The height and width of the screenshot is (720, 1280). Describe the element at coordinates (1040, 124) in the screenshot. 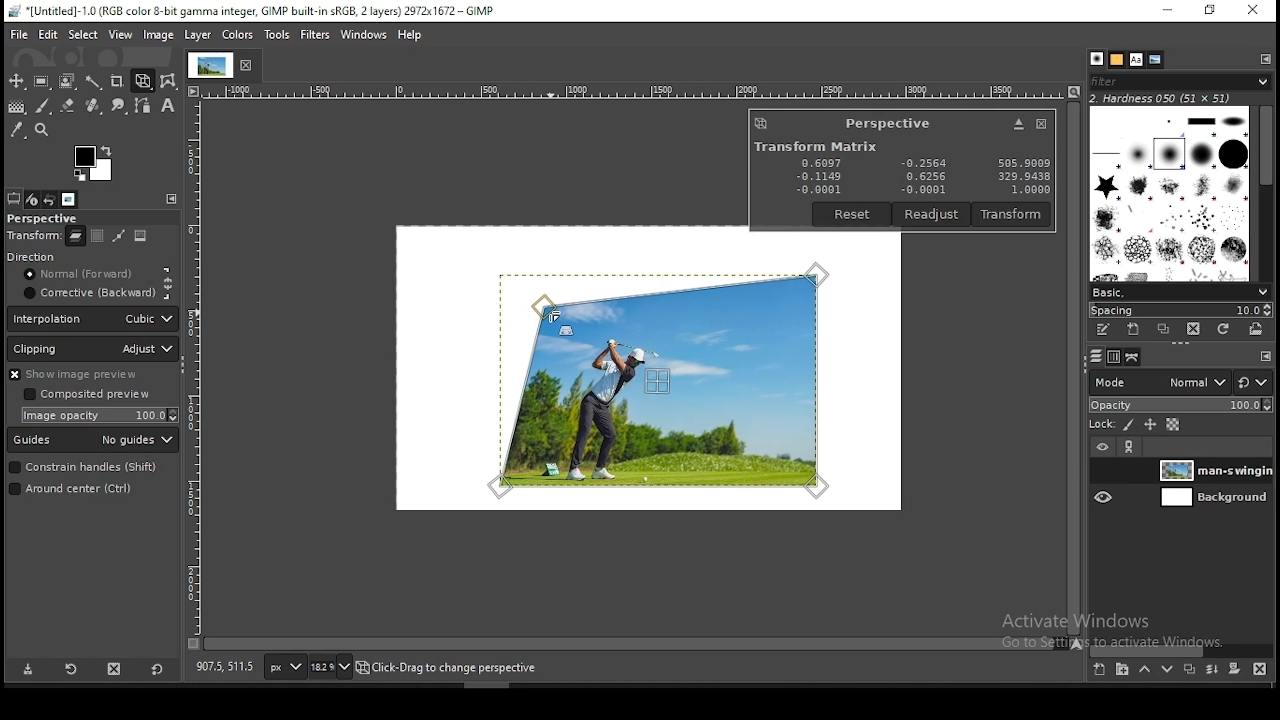

I see `close window` at that location.